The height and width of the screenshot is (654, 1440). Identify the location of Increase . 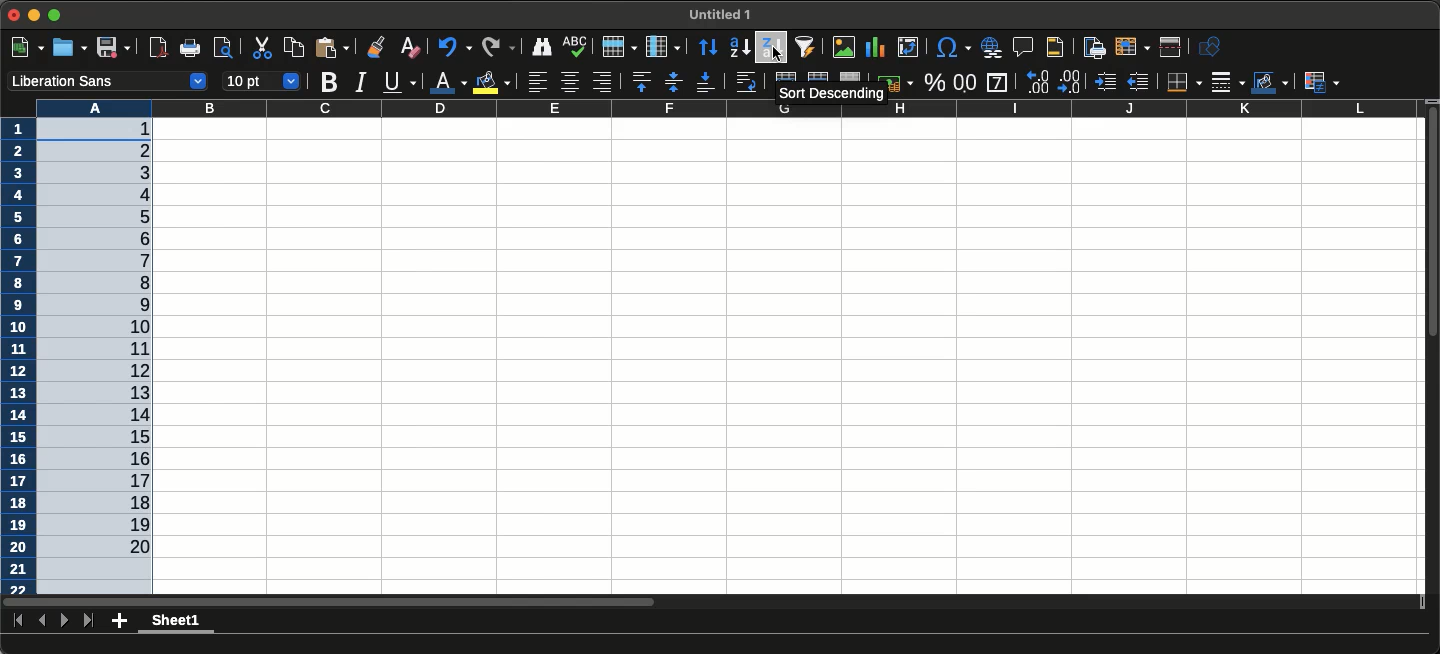
(1106, 83).